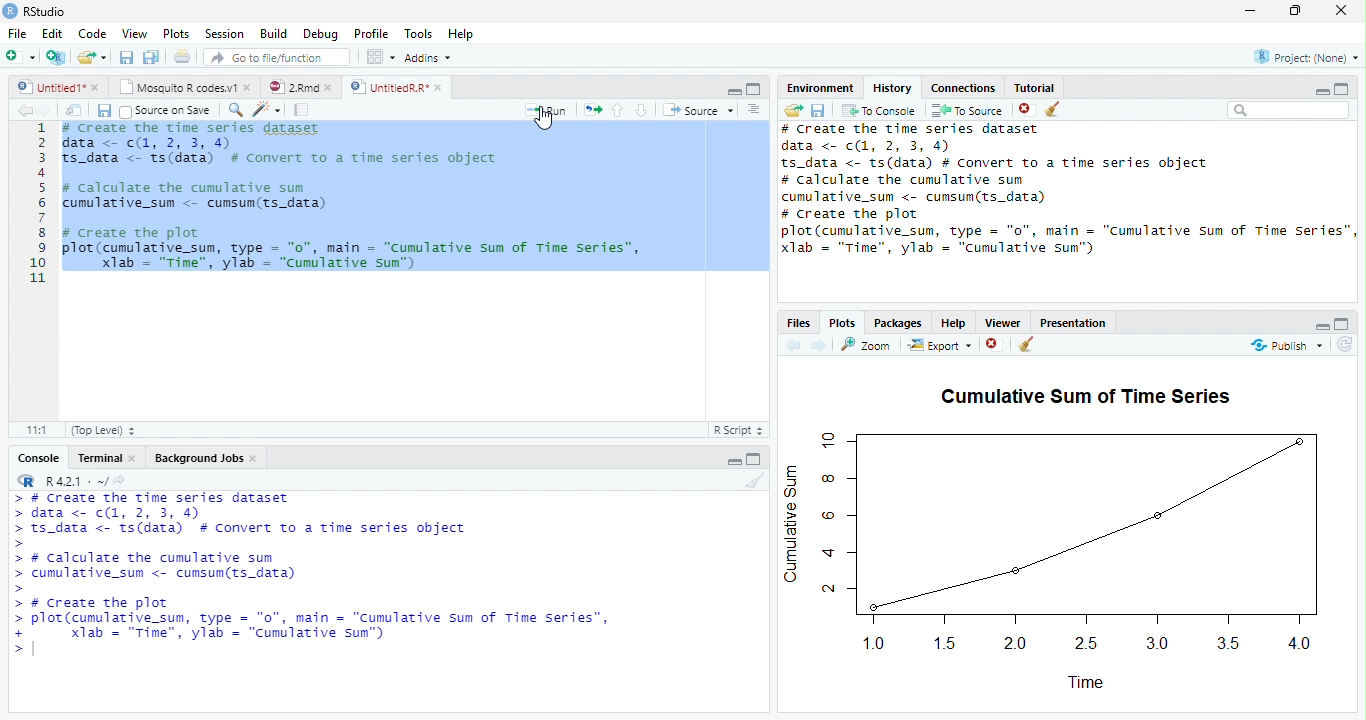 The image size is (1366, 720). I want to click on Mosquito R codes, so click(187, 86).